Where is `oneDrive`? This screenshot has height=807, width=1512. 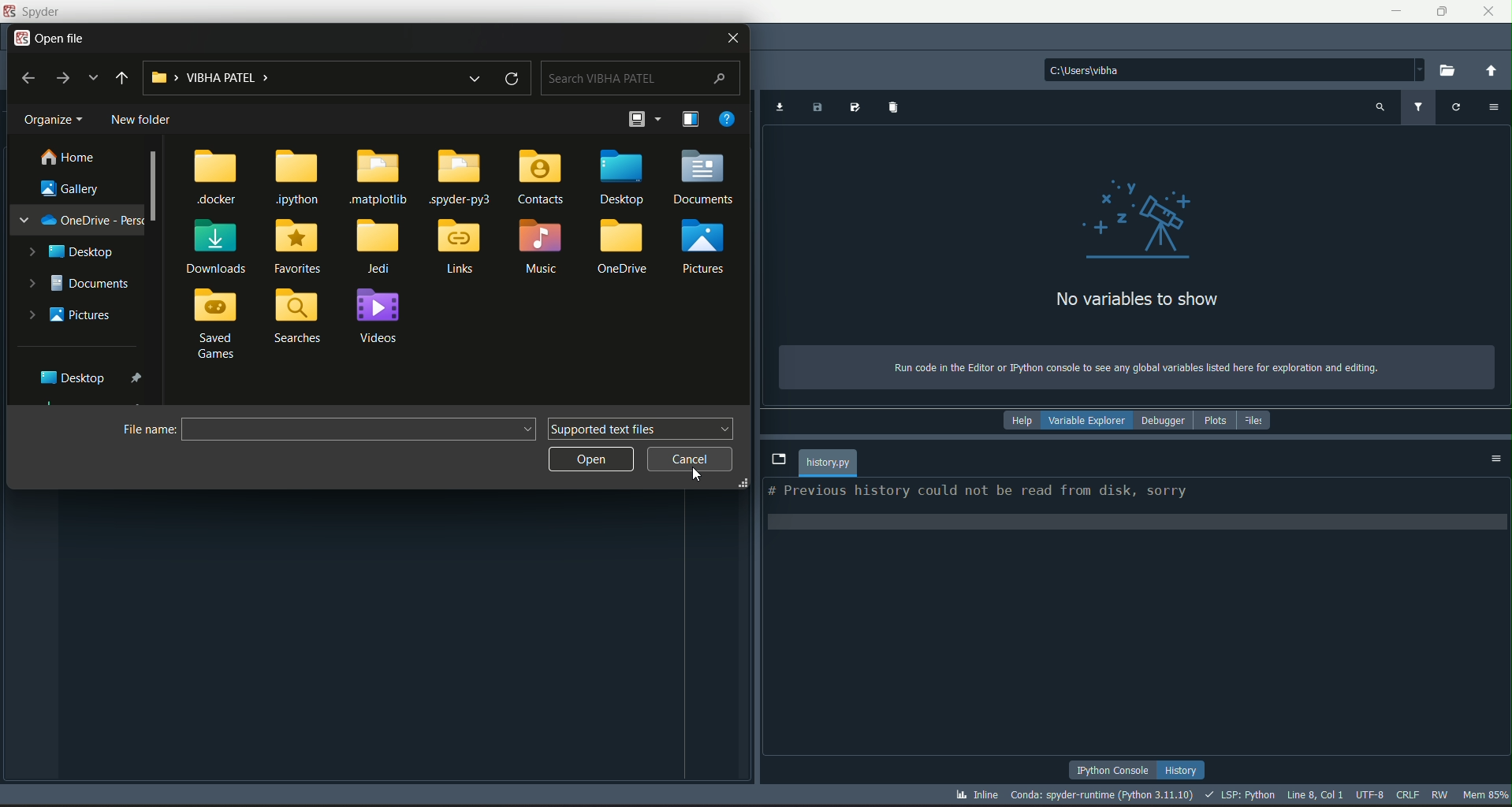
oneDrive is located at coordinates (626, 248).